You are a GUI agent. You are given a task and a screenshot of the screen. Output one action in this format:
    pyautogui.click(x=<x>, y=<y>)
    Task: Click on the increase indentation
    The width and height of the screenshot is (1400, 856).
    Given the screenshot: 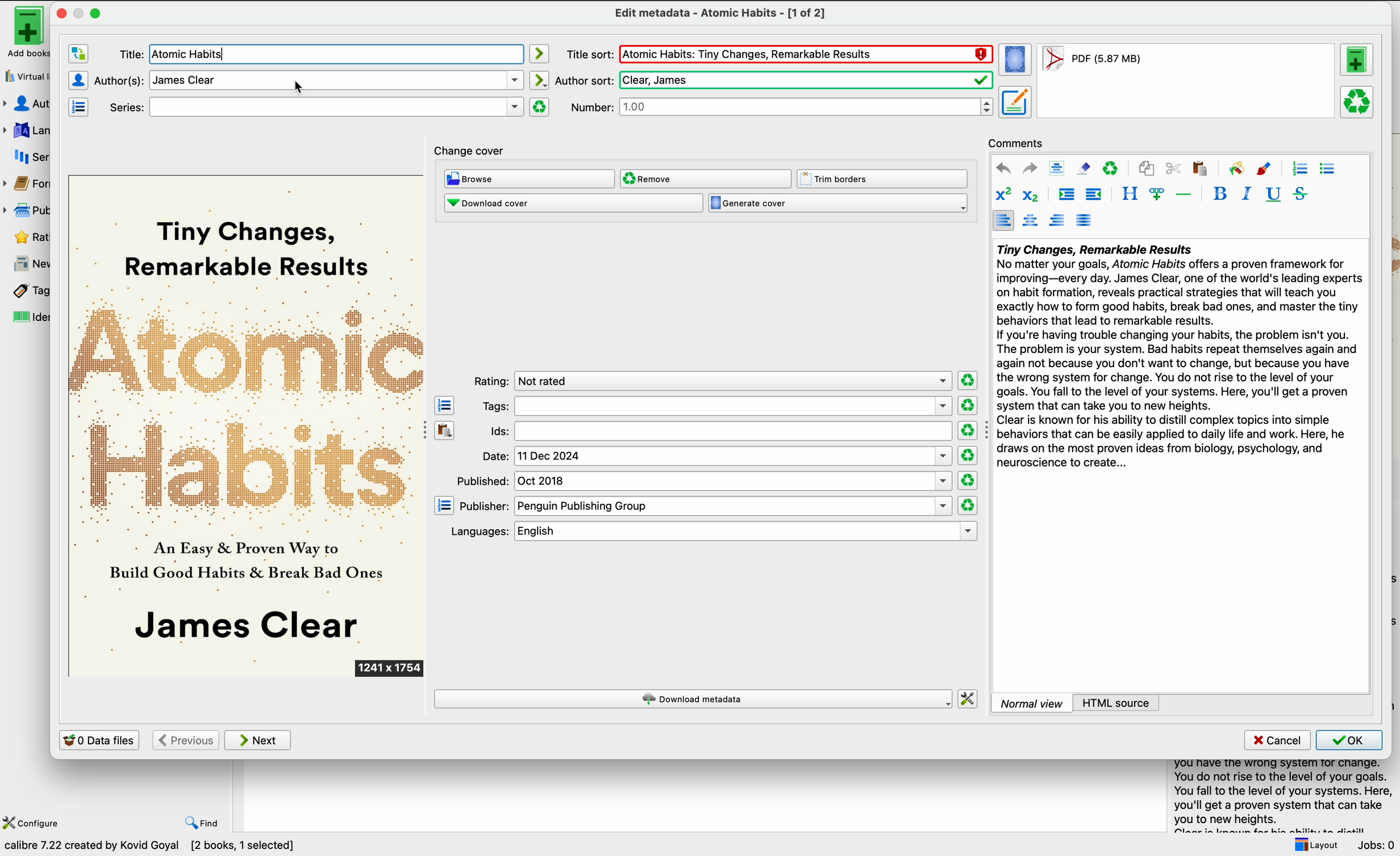 What is the action you would take?
    pyautogui.click(x=1066, y=195)
    